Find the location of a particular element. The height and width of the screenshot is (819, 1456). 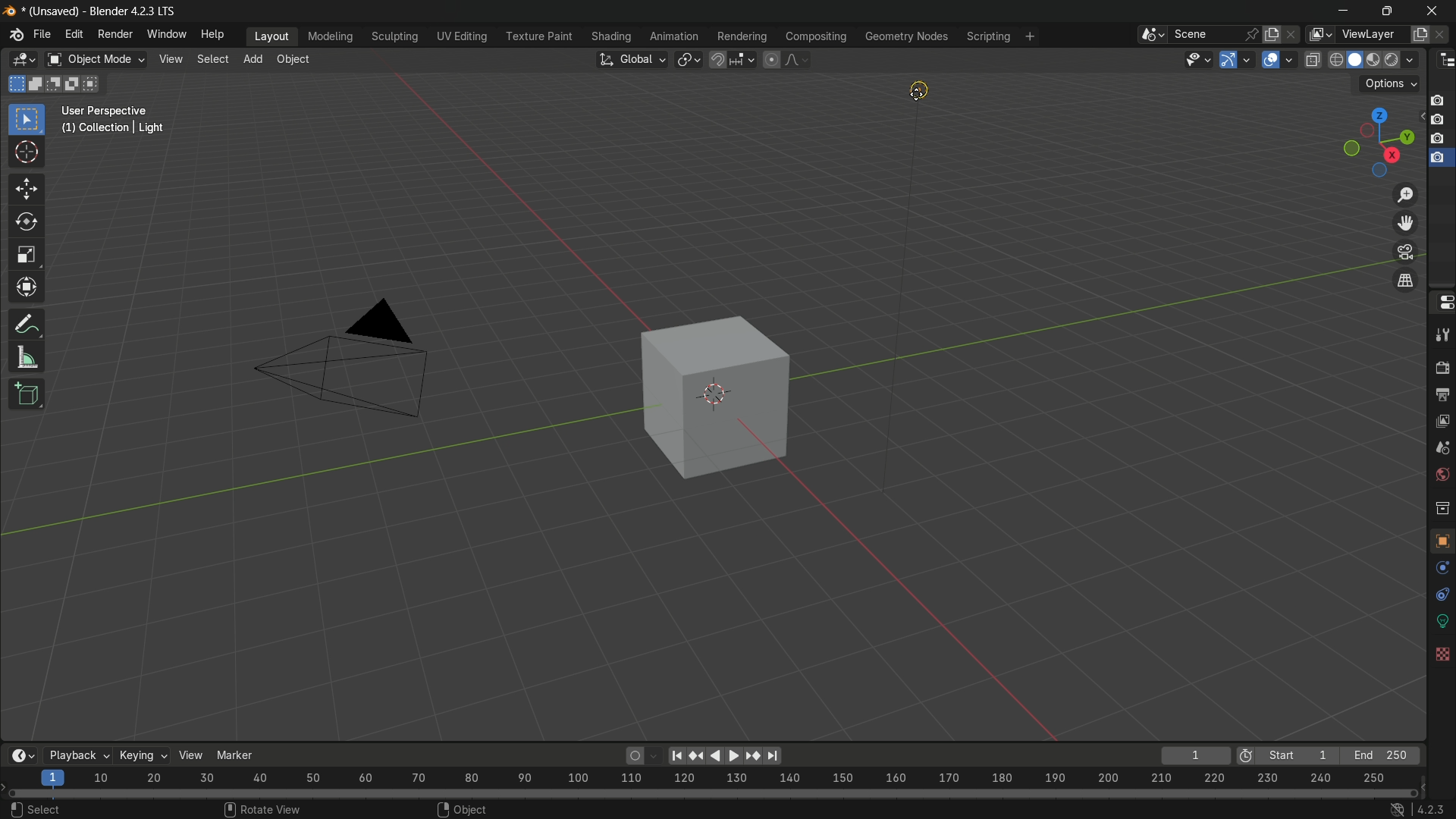

sculpting menu is located at coordinates (395, 37).